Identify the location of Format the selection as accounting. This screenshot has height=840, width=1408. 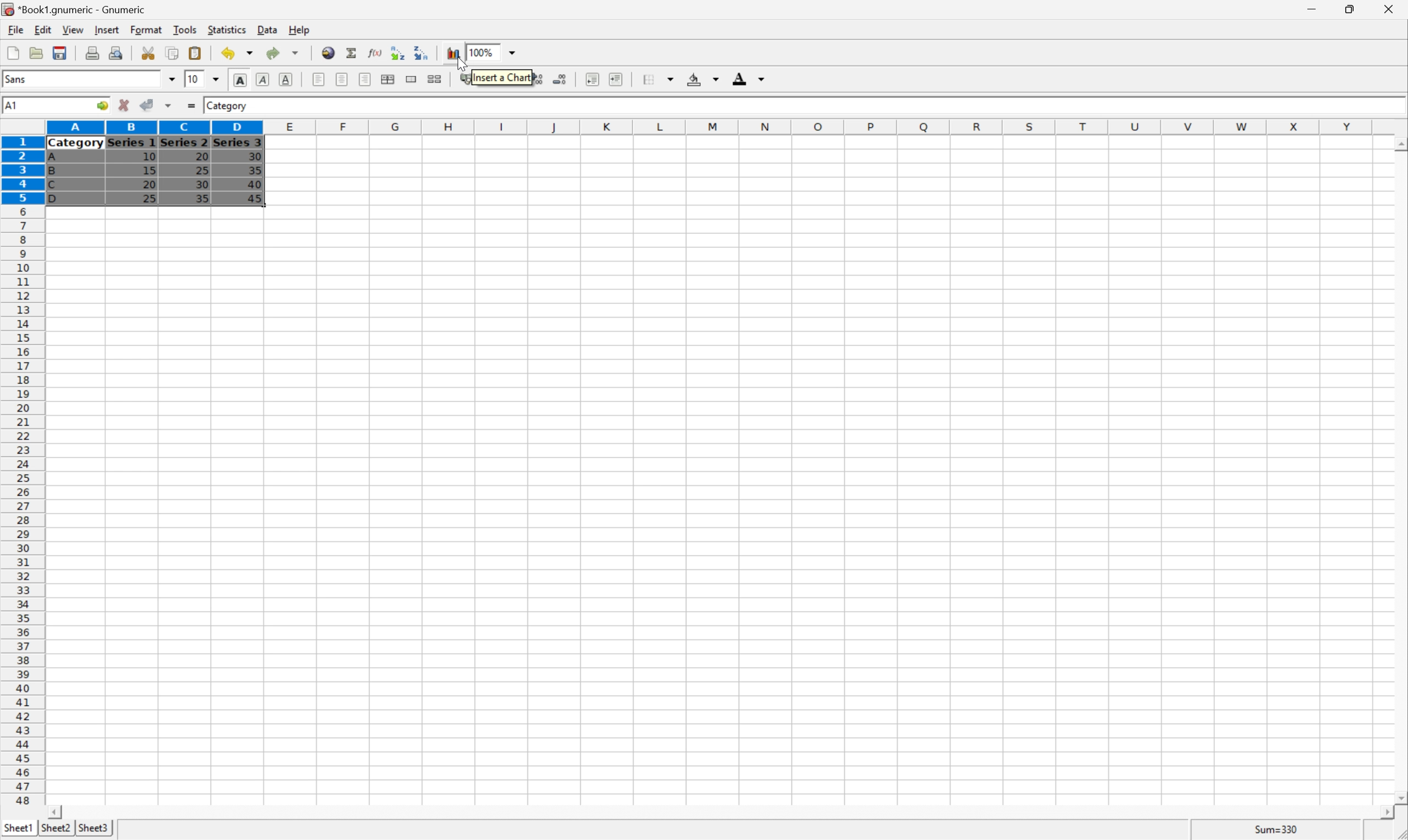
(462, 78).